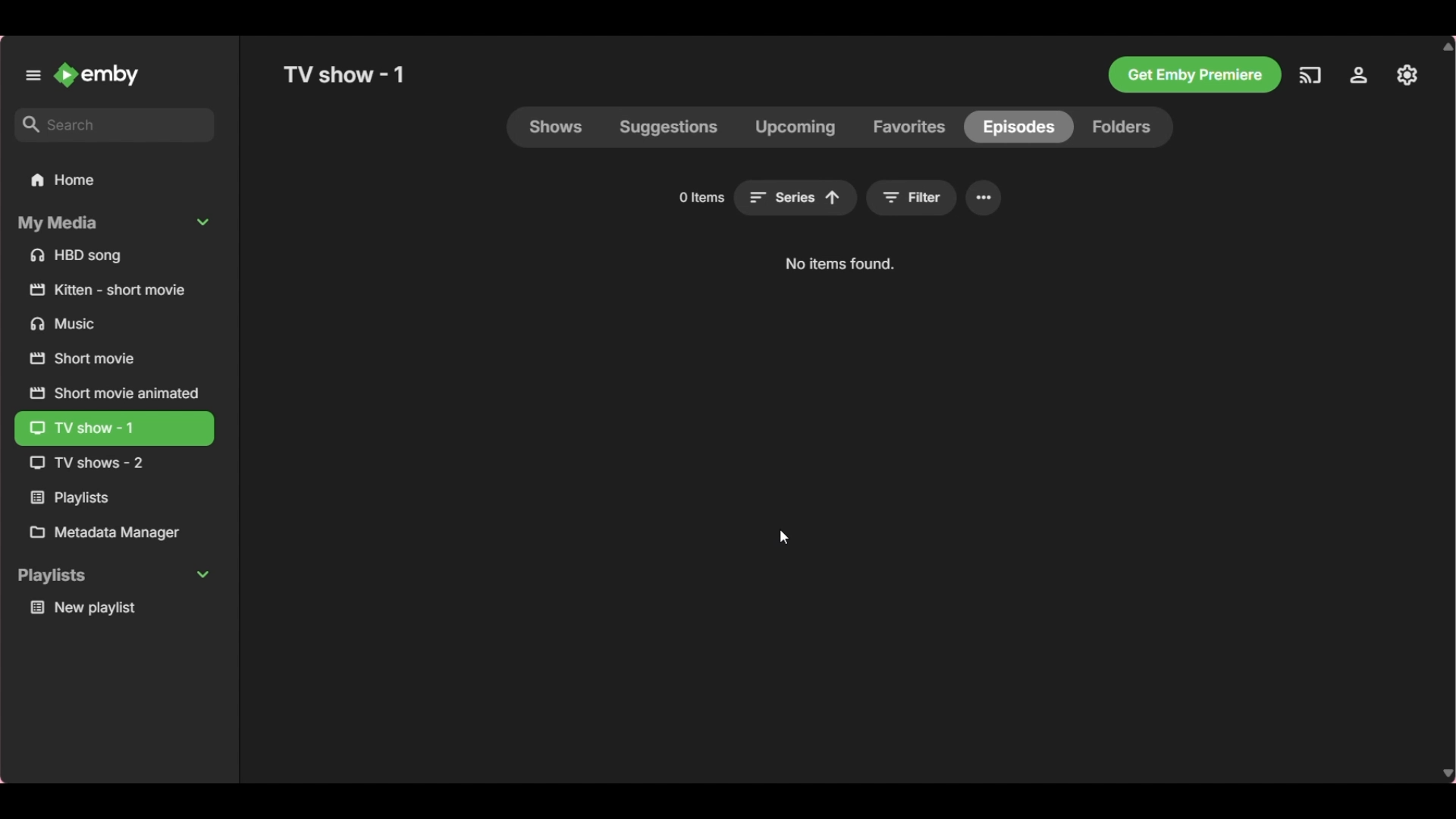 This screenshot has width=1456, height=819. I want to click on Short film, so click(113, 392).